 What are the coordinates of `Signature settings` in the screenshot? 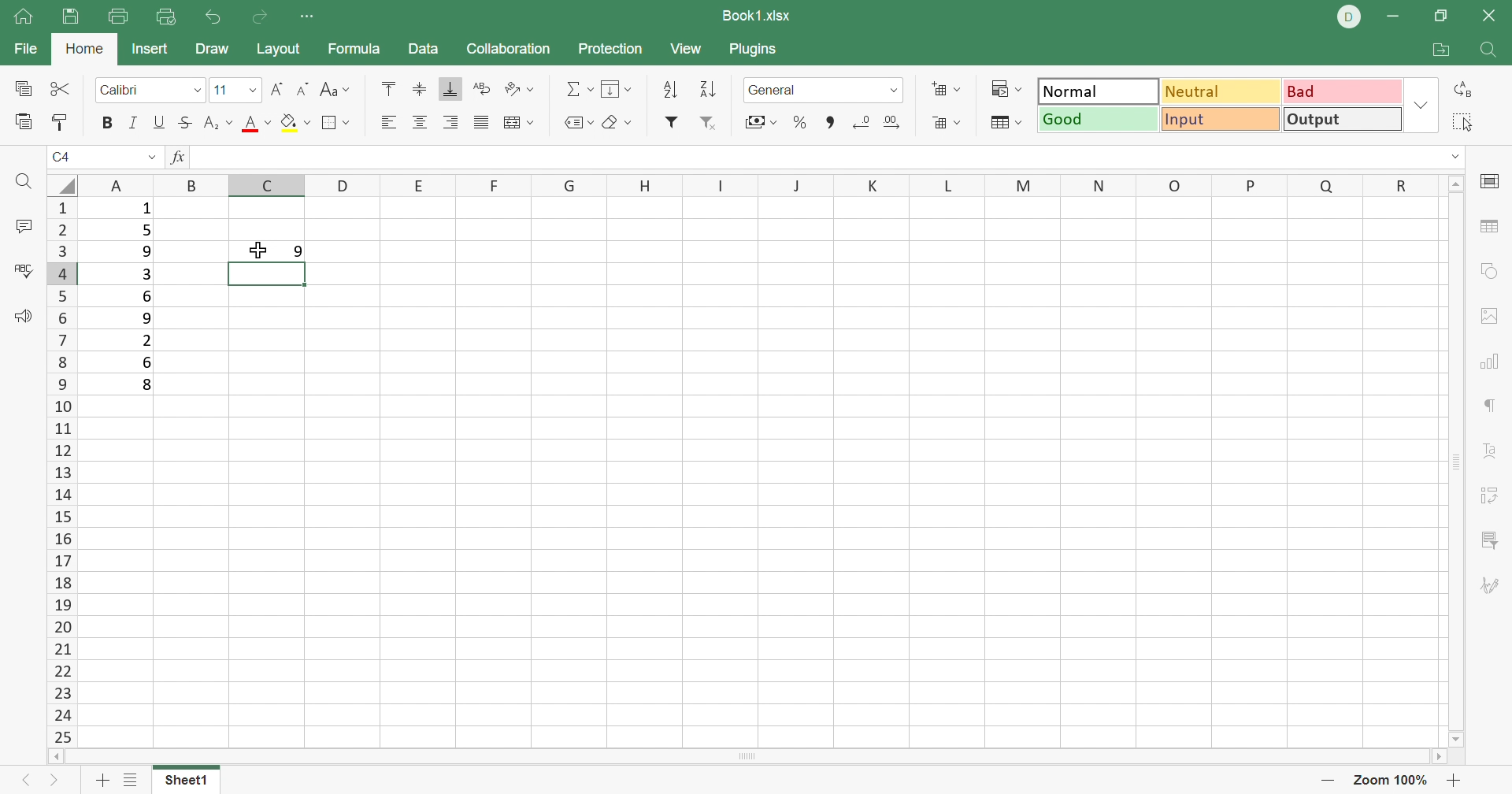 It's located at (1492, 587).